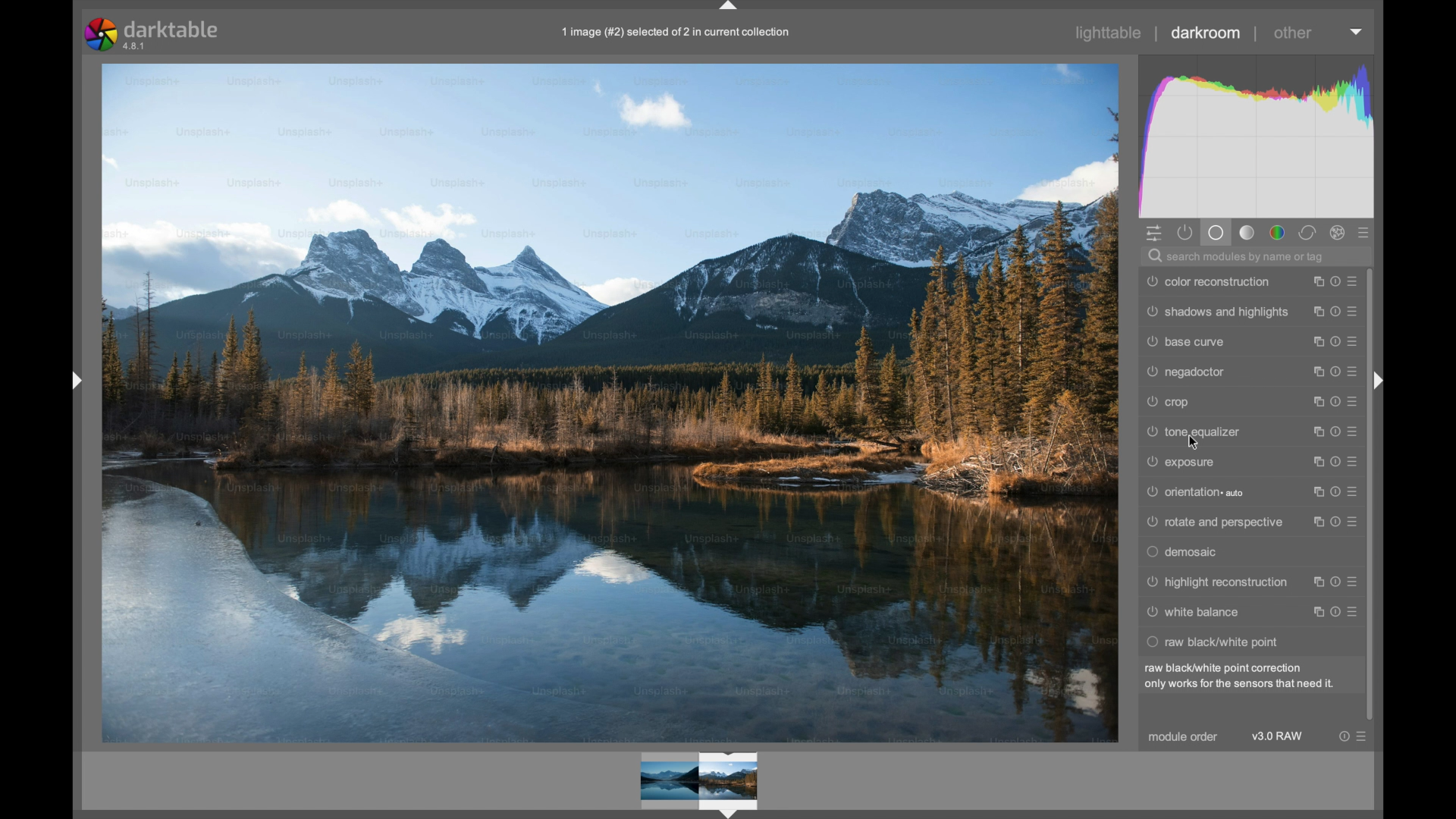 The width and height of the screenshot is (1456, 819). What do you see at coordinates (1314, 491) in the screenshot?
I see `instance` at bounding box center [1314, 491].